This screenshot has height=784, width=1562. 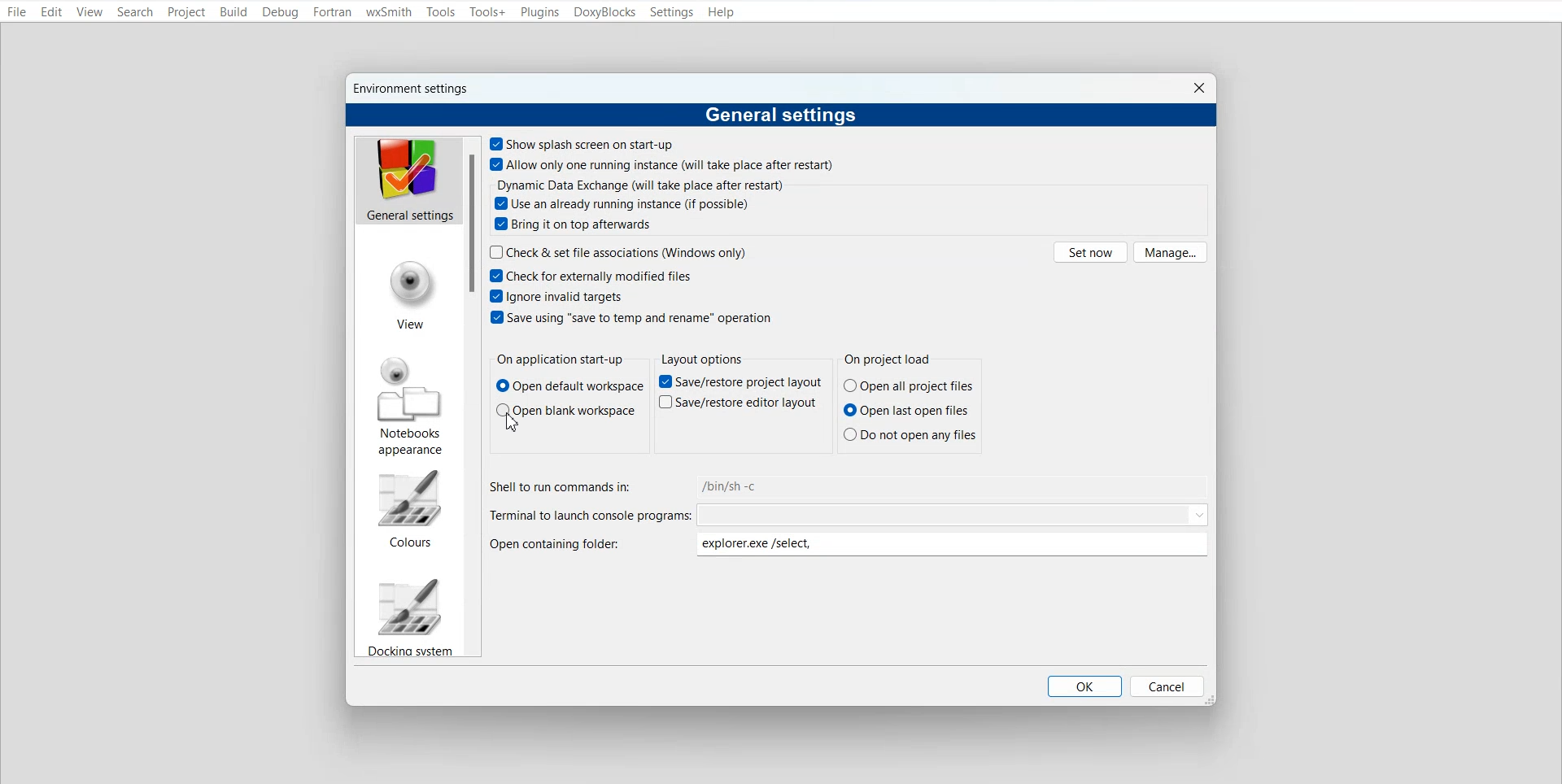 I want to click on Shell to run commands in, so click(x=850, y=486).